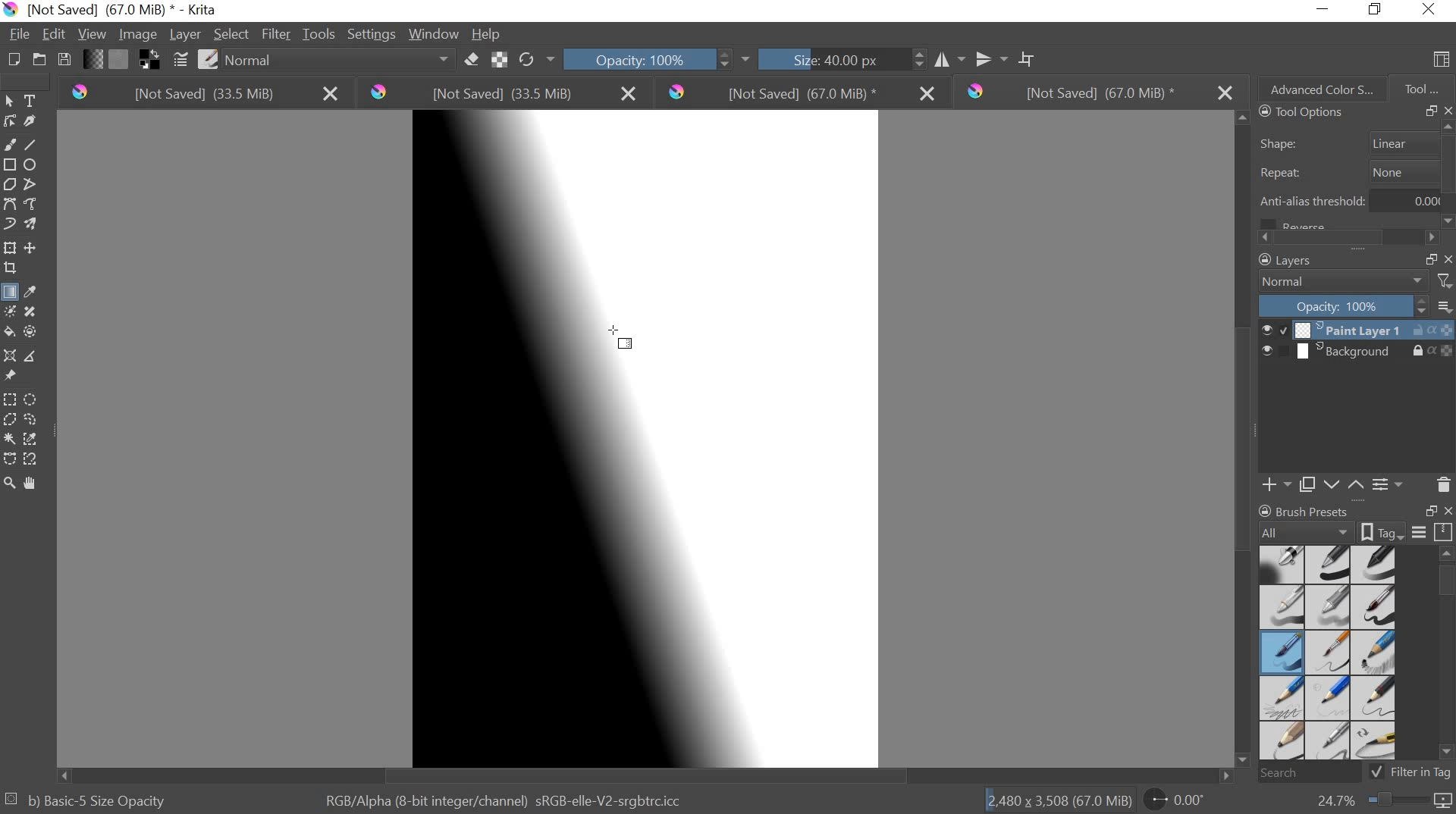 The width and height of the screenshot is (1456, 814). Describe the element at coordinates (1315, 773) in the screenshot. I see `SEARCH ` at that location.